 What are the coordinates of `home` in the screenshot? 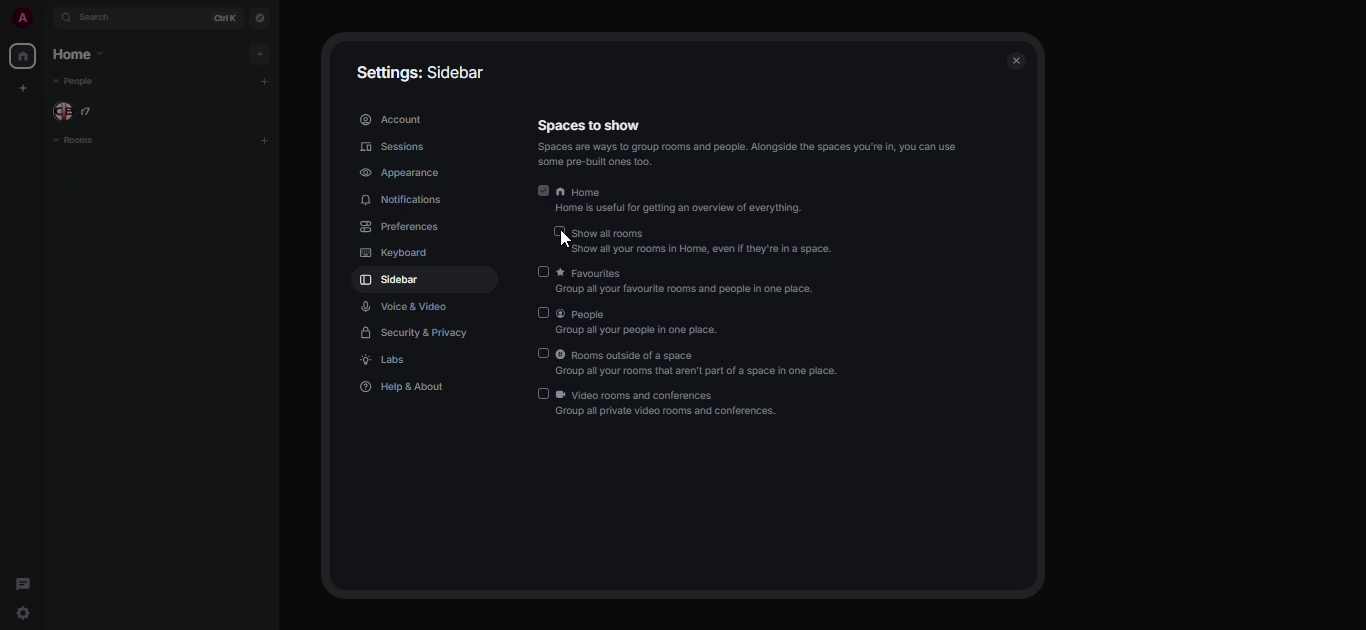 It's located at (23, 56).